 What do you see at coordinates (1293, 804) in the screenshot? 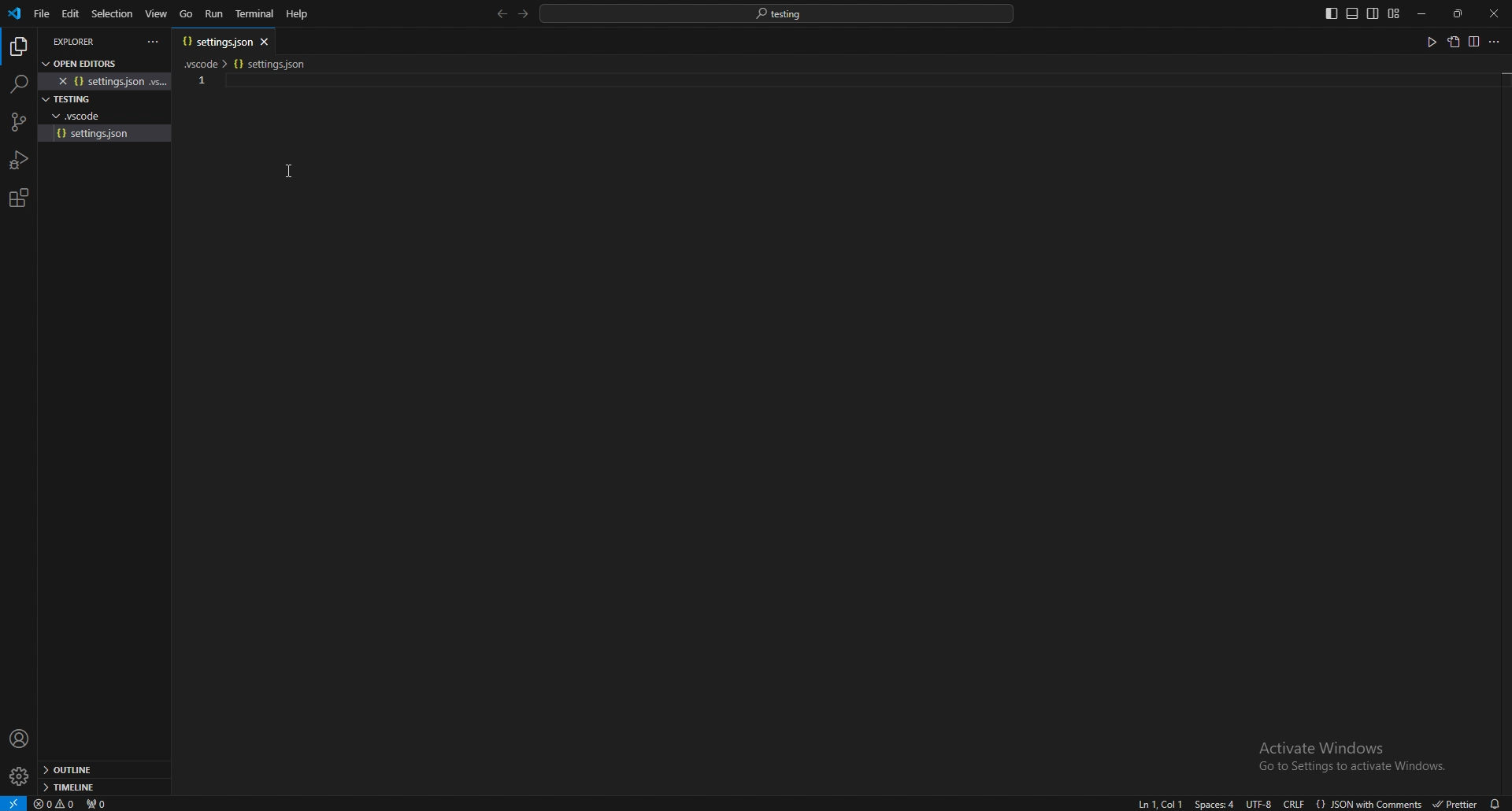
I see `end of line sequence` at bounding box center [1293, 804].